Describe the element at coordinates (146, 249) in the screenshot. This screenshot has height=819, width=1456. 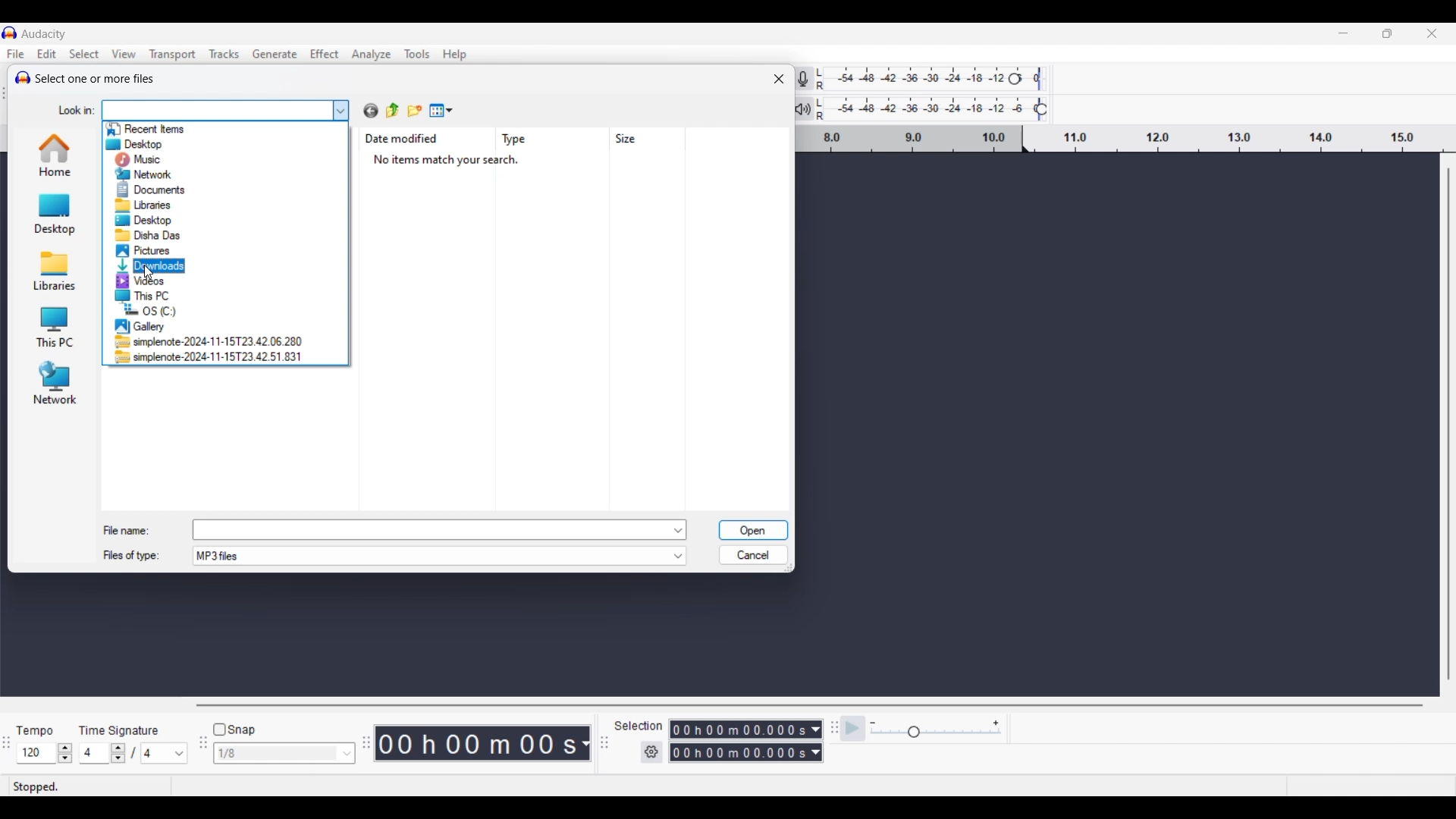
I see `Pictures` at that location.